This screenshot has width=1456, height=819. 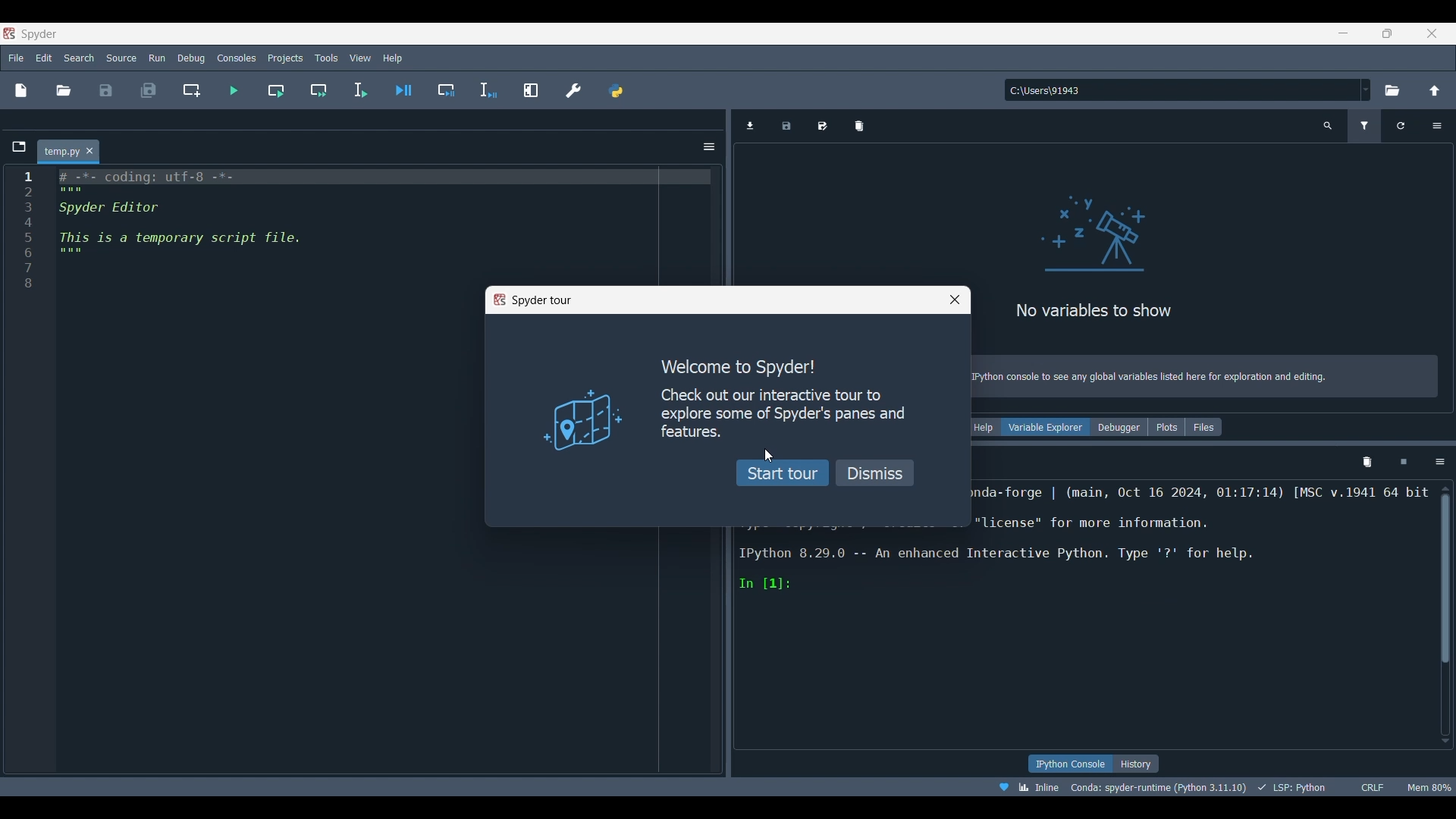 I want to click on Browse a working directory, so click(x=1392, y=90).